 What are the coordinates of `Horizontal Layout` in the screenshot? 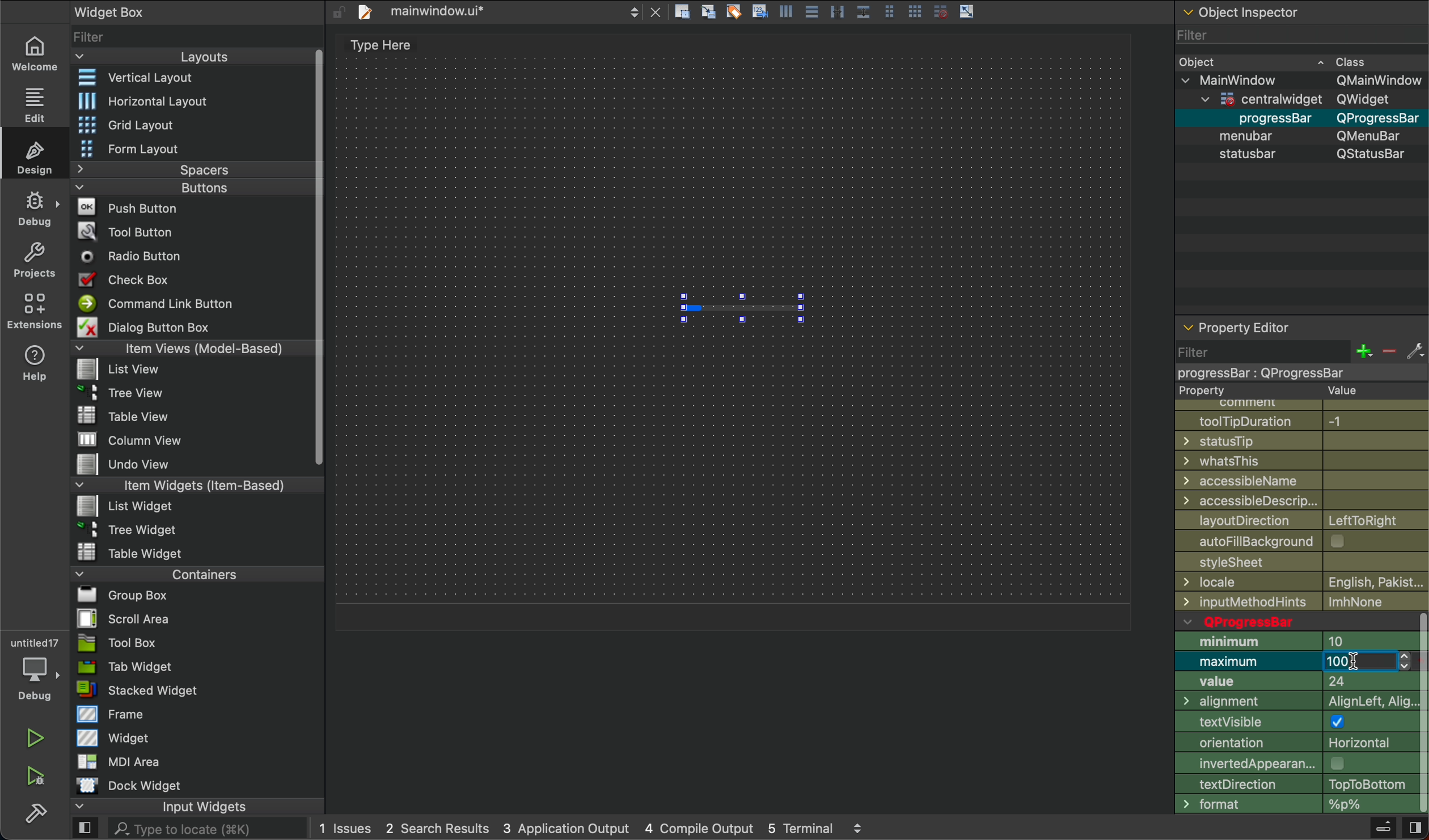 It's located at (184, 101).